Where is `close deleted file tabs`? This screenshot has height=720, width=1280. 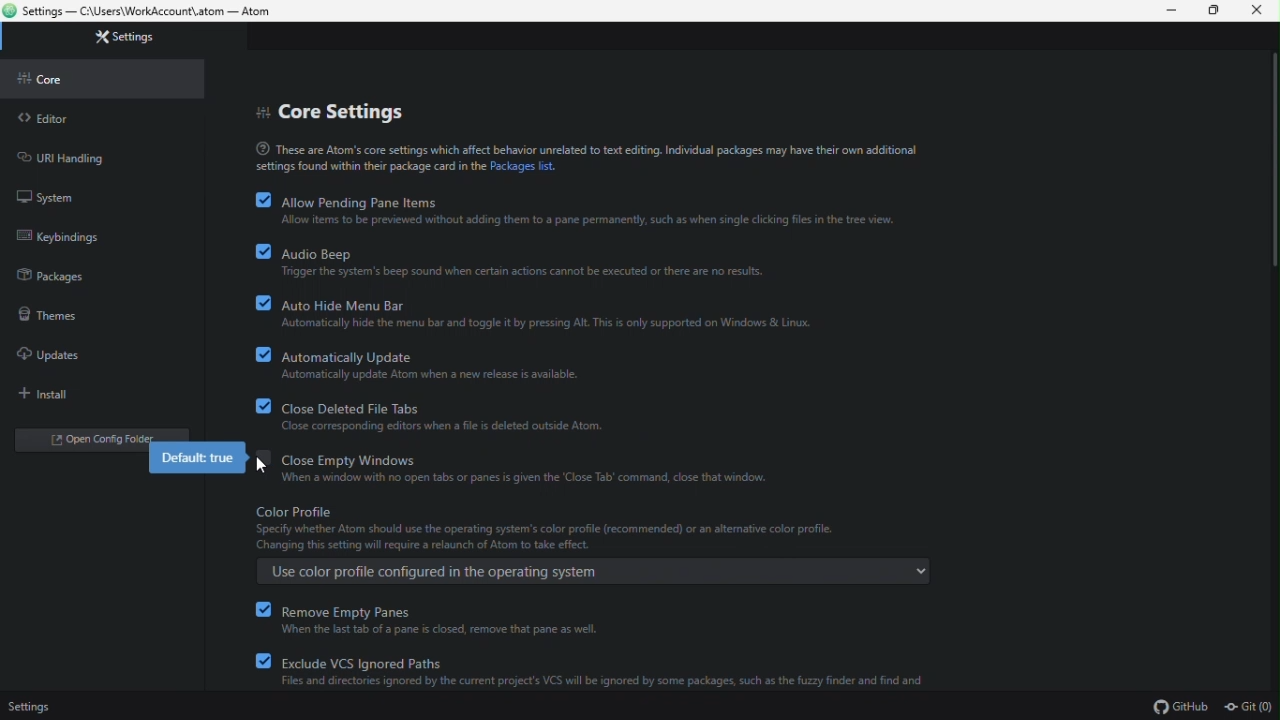
close deleted file tabs is located at coordinates (443, 417).